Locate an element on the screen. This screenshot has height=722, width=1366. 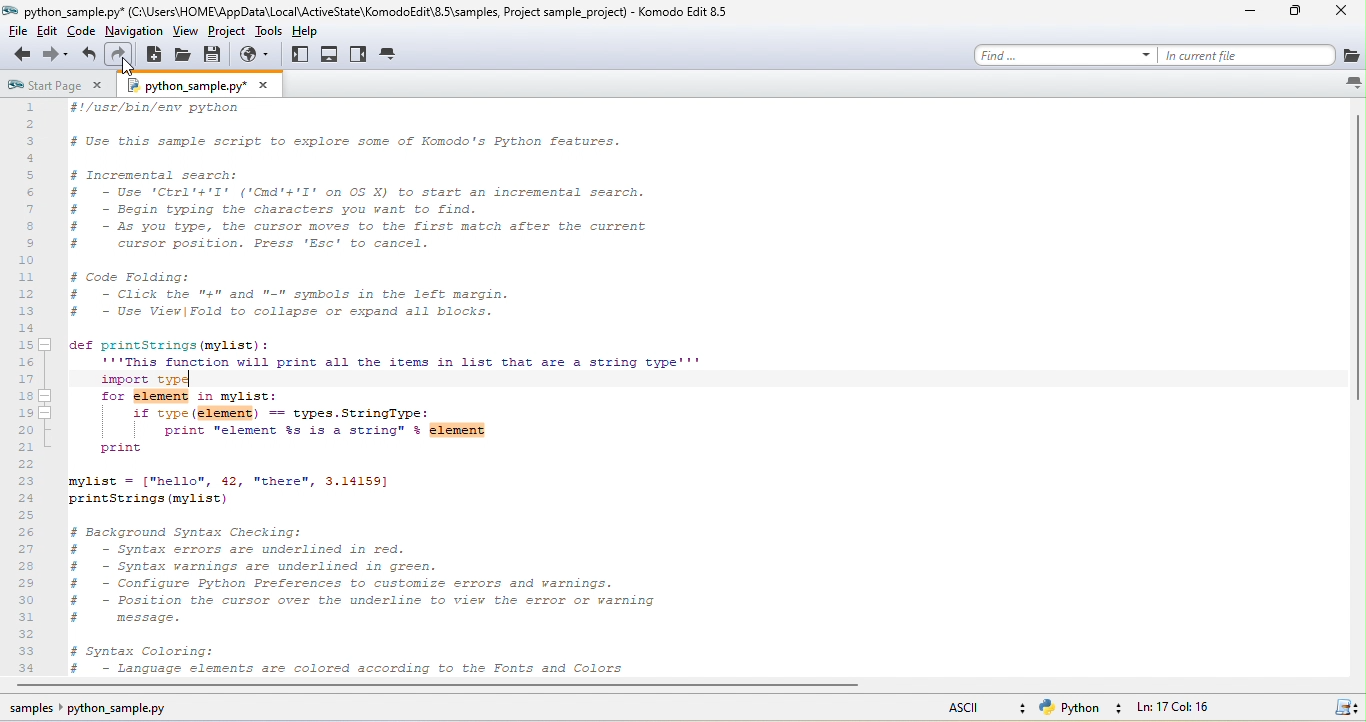
title is located at coordinates (365, 14).